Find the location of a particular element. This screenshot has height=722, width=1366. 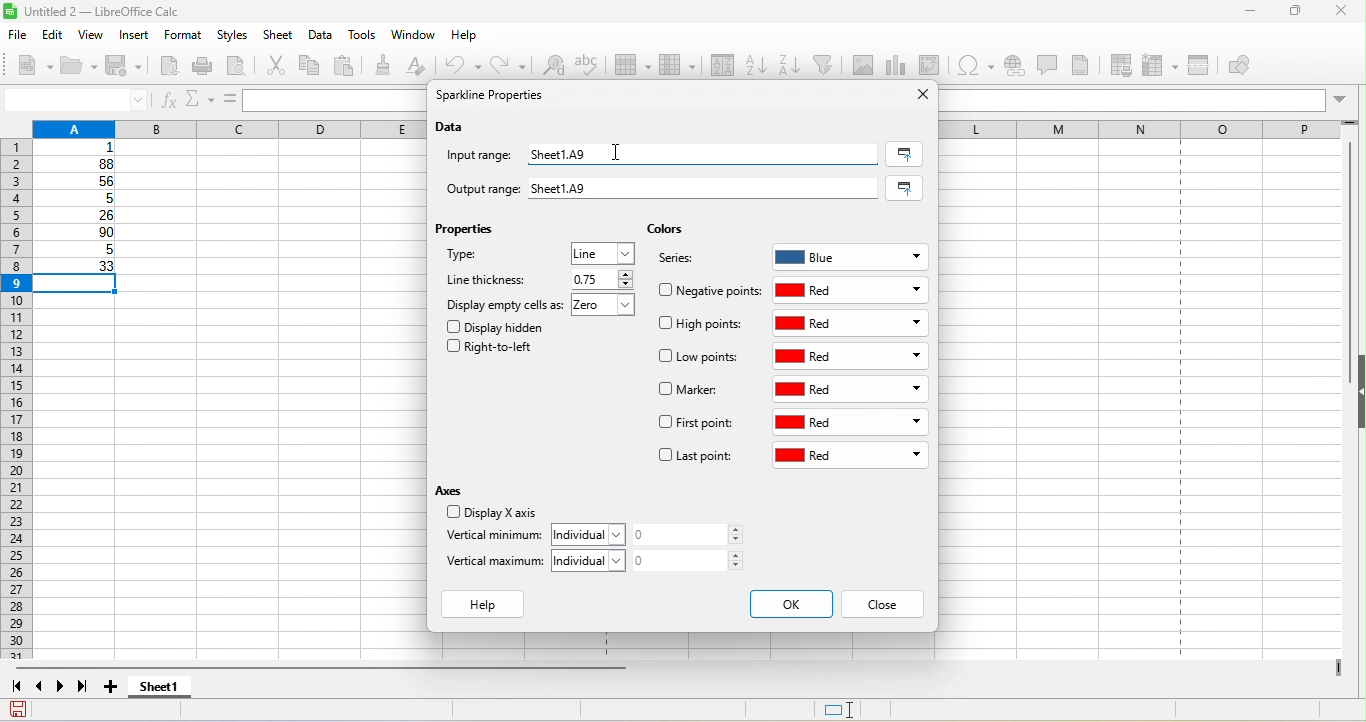

tools is located at coordinates (367, 37).